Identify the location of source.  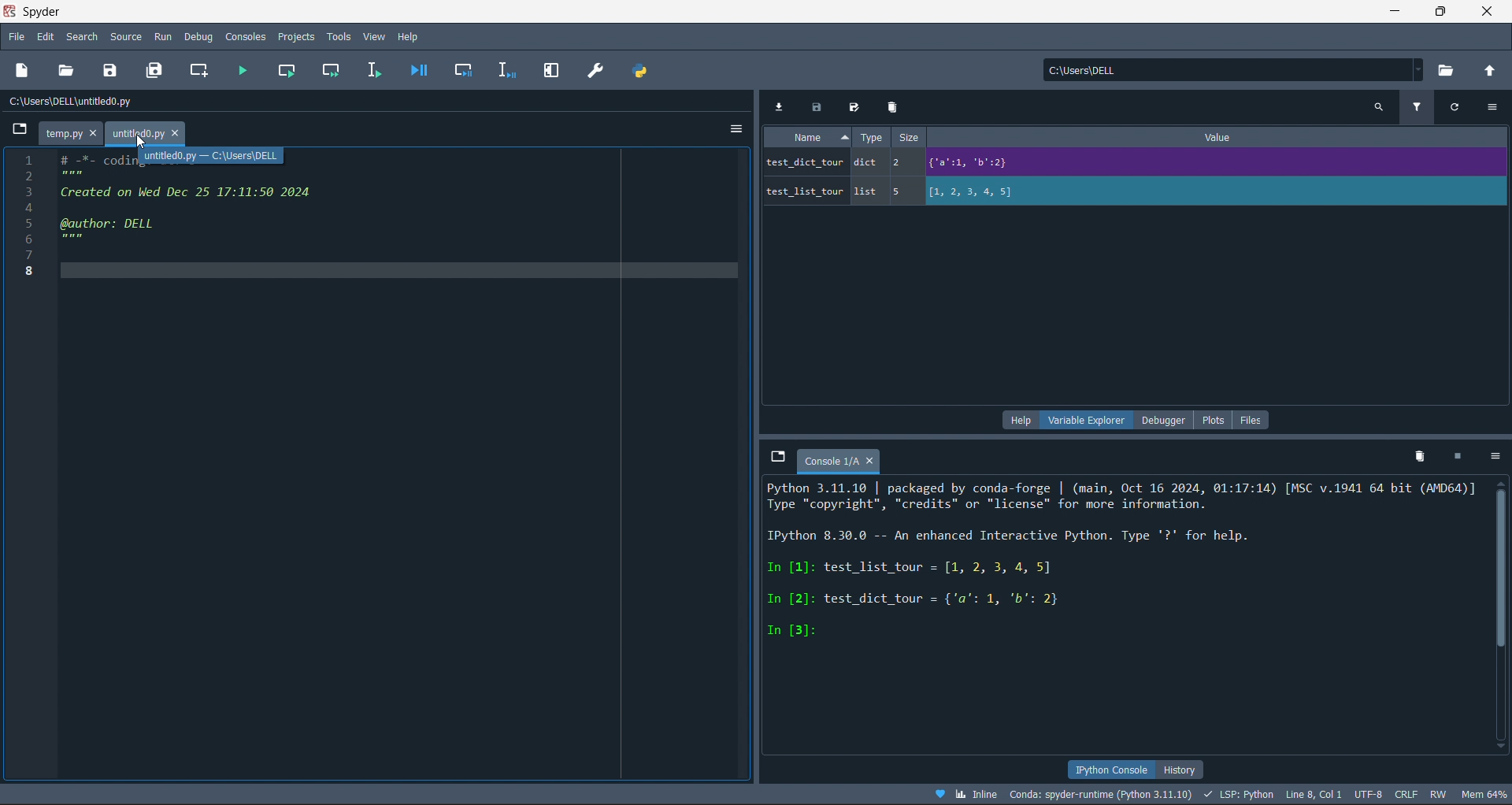
(130, 36).